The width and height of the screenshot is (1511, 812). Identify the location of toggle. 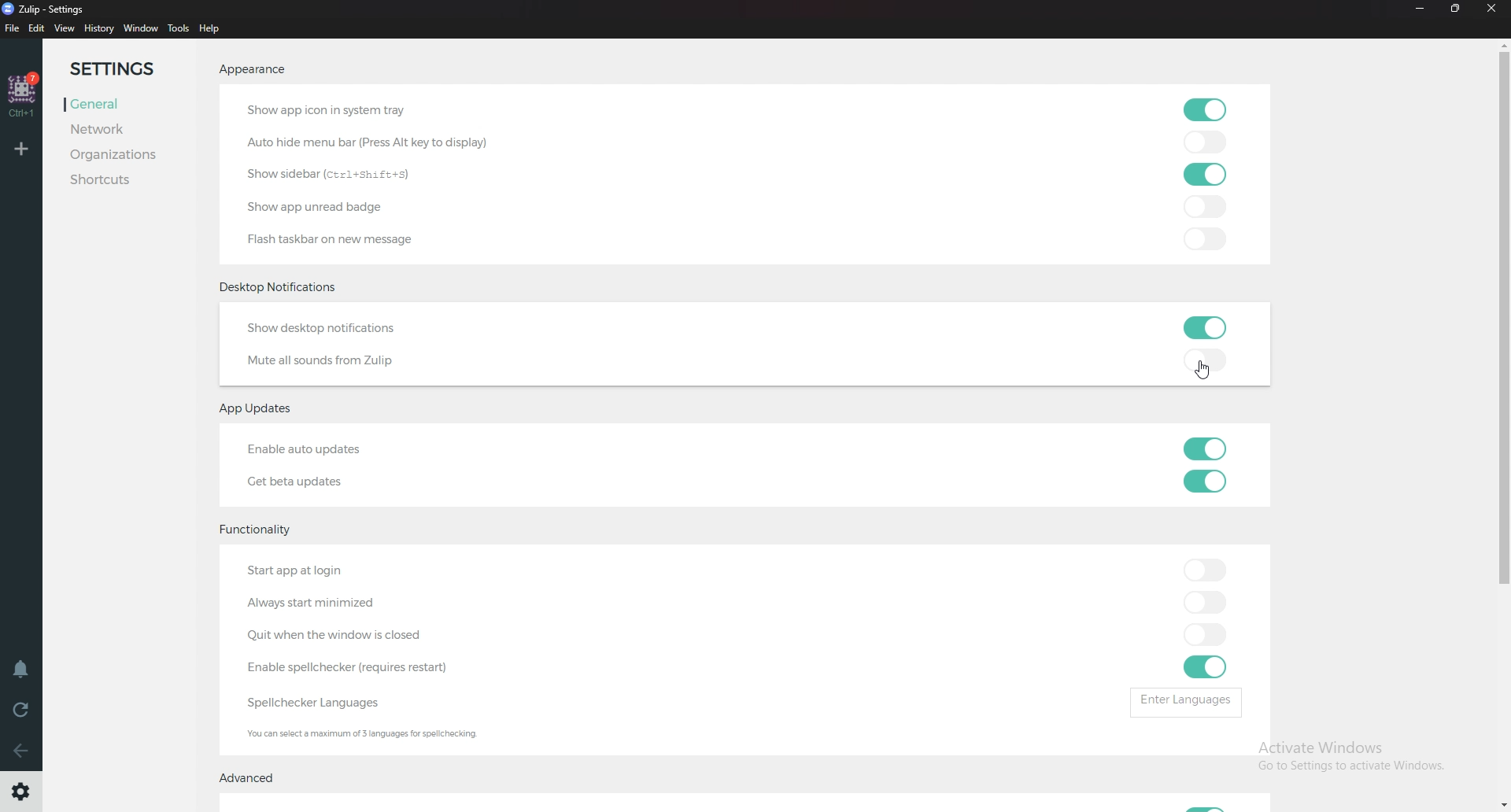
(1205, 573).